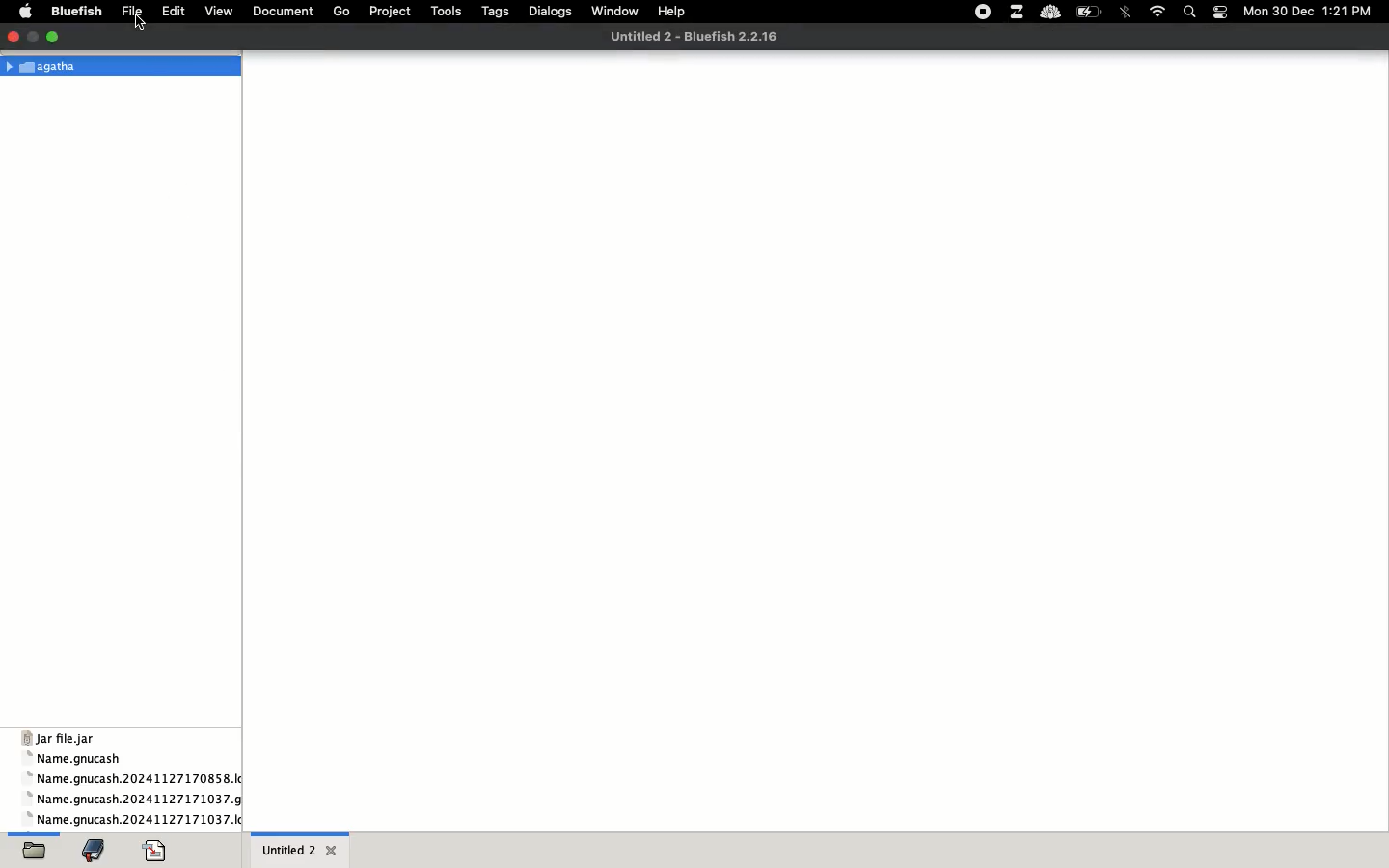 Image resolution: width=1389 pixels, height=868 pixels. I want to click on search, so click(1189, 12).